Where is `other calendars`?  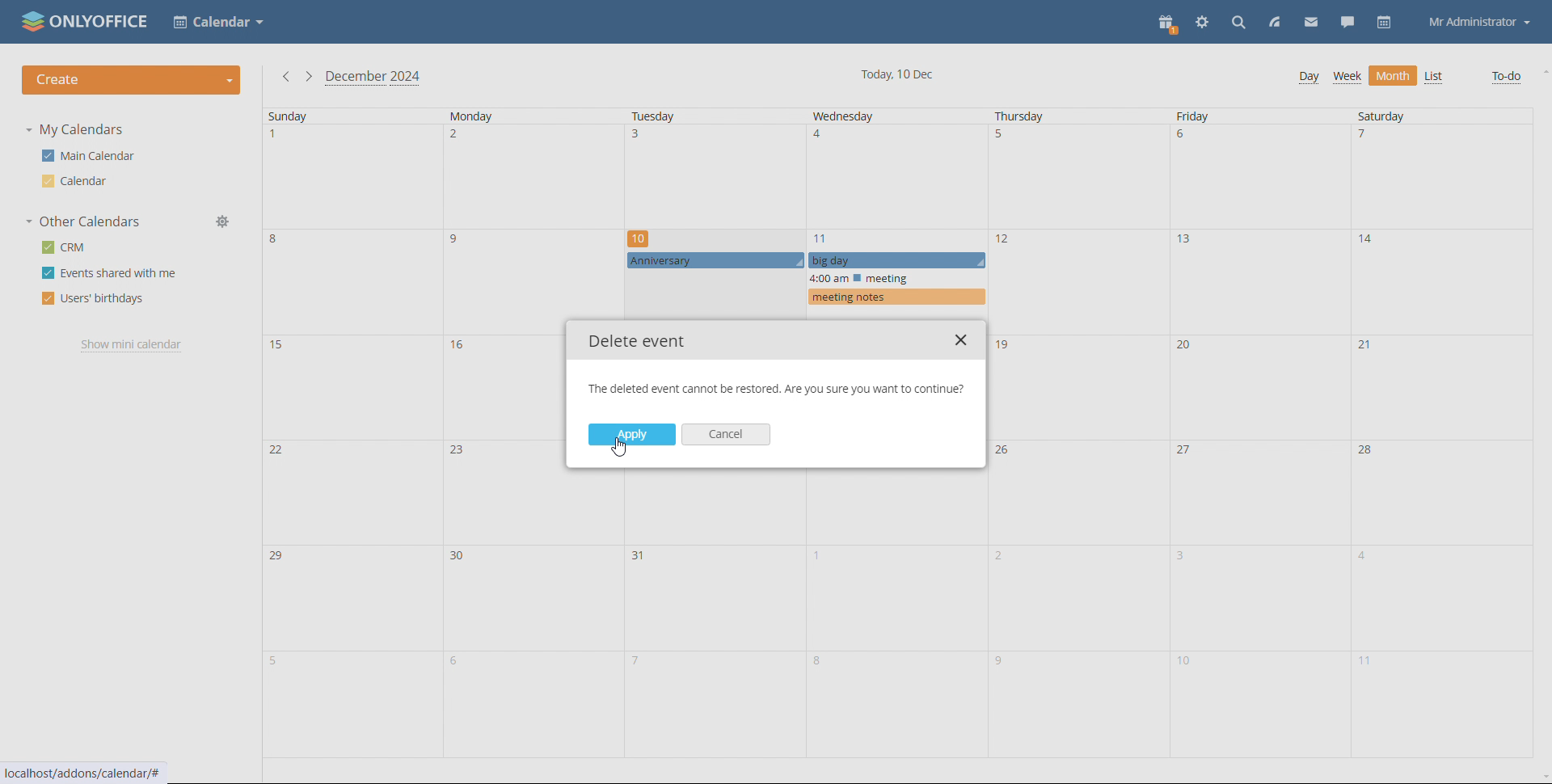
other calendars is located at coordinates (83, 221).